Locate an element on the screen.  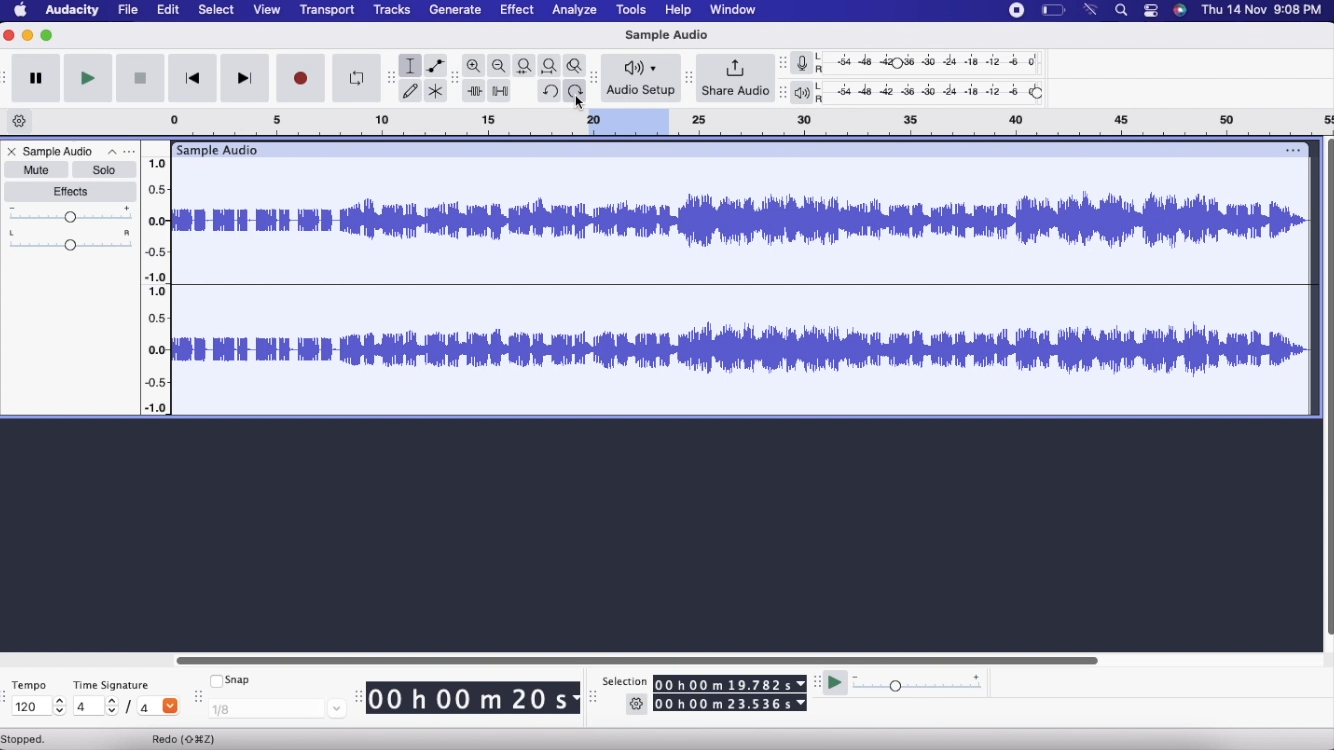
Fit selection to width is located at coordinates (525, 66).